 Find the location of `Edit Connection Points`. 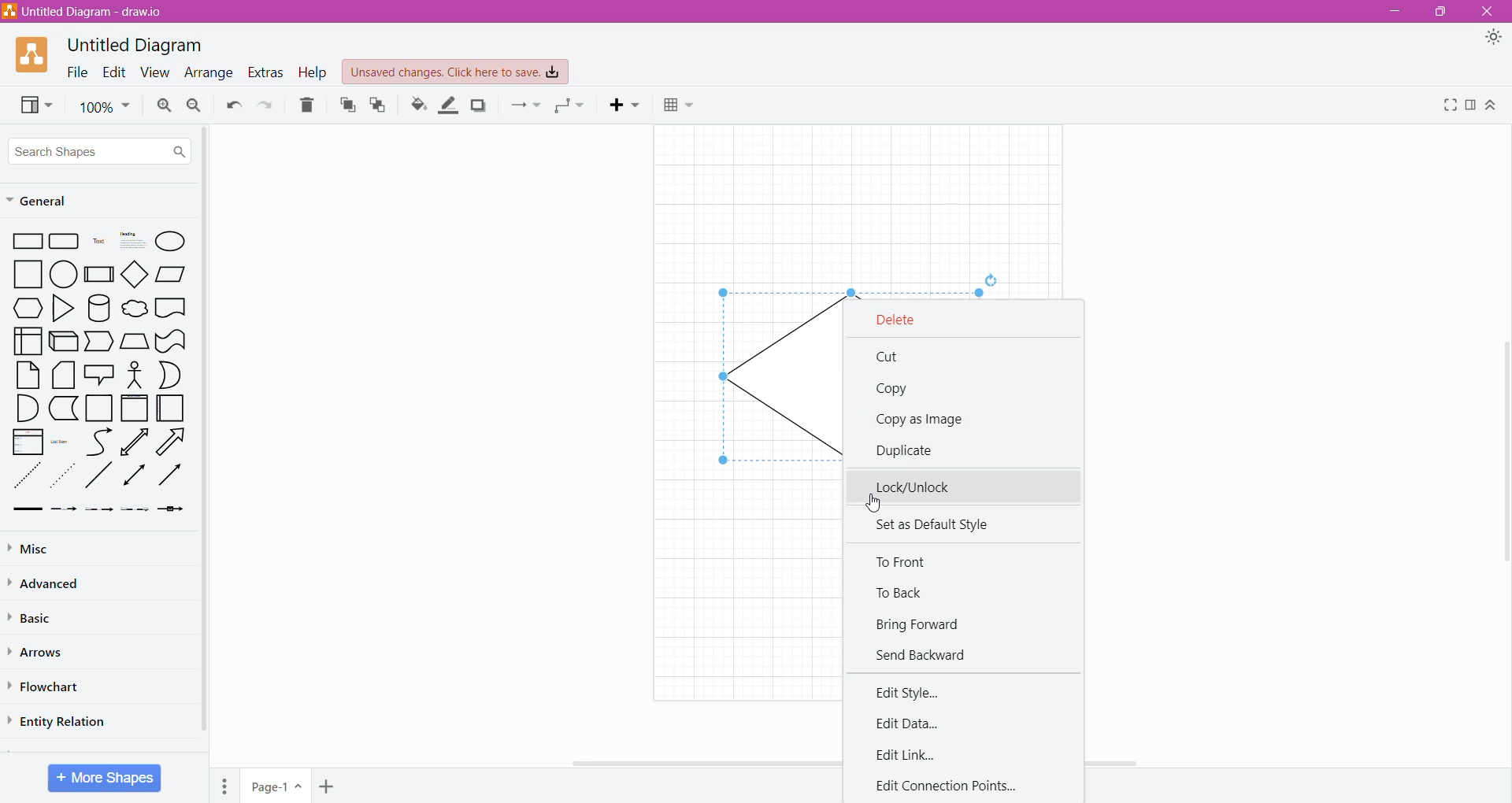

Edit Connection Points is located at coordinates (953, 785).